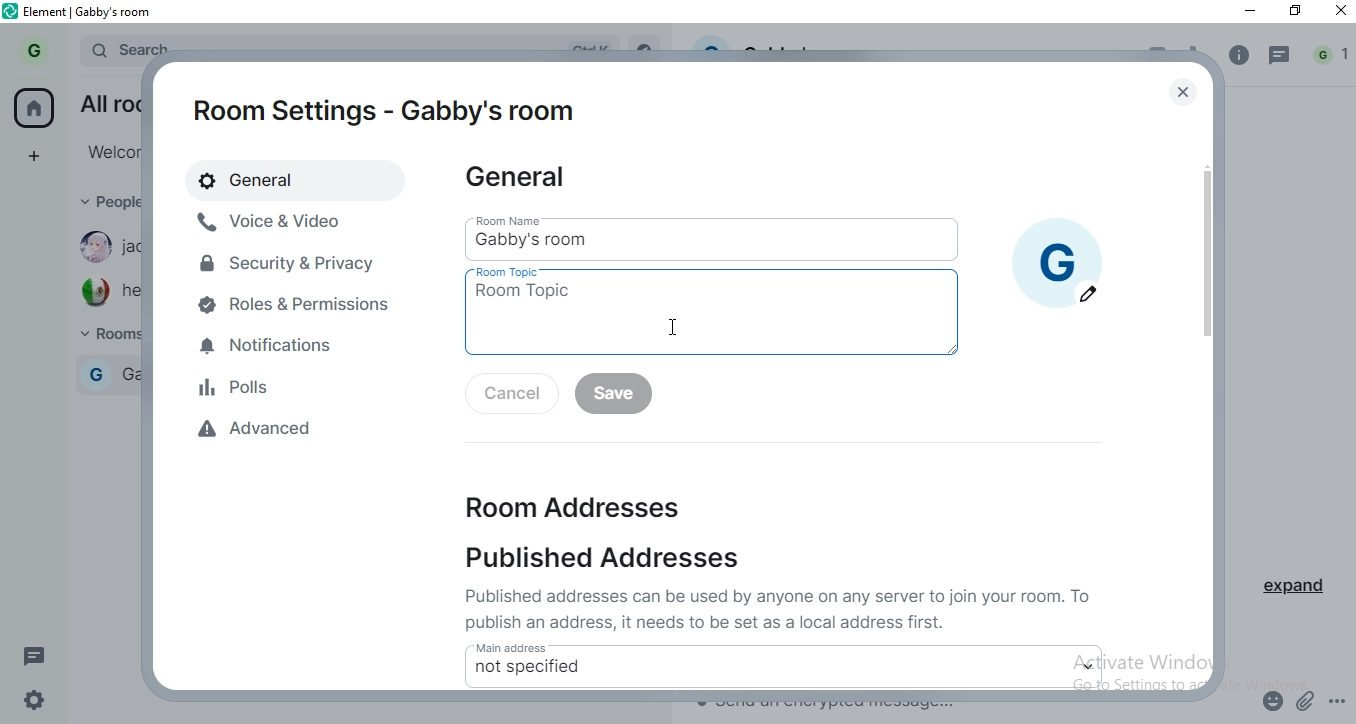 This screenshot has height=724, width=1356. What do you see at coordinates (41, 698) in the screenshot?
I see `settings` at bounding box center [41, 698].